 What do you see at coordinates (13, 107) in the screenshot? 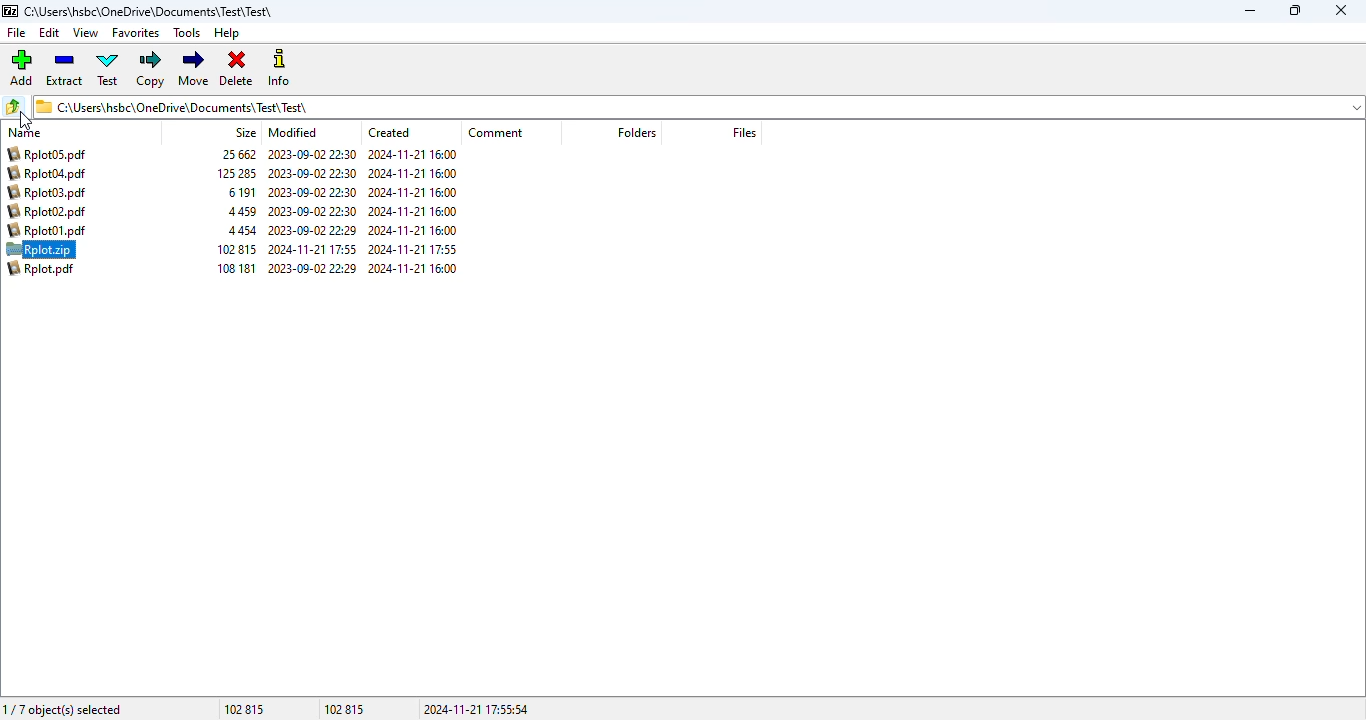
I see `browse folders` at bounding box center [13, 107].